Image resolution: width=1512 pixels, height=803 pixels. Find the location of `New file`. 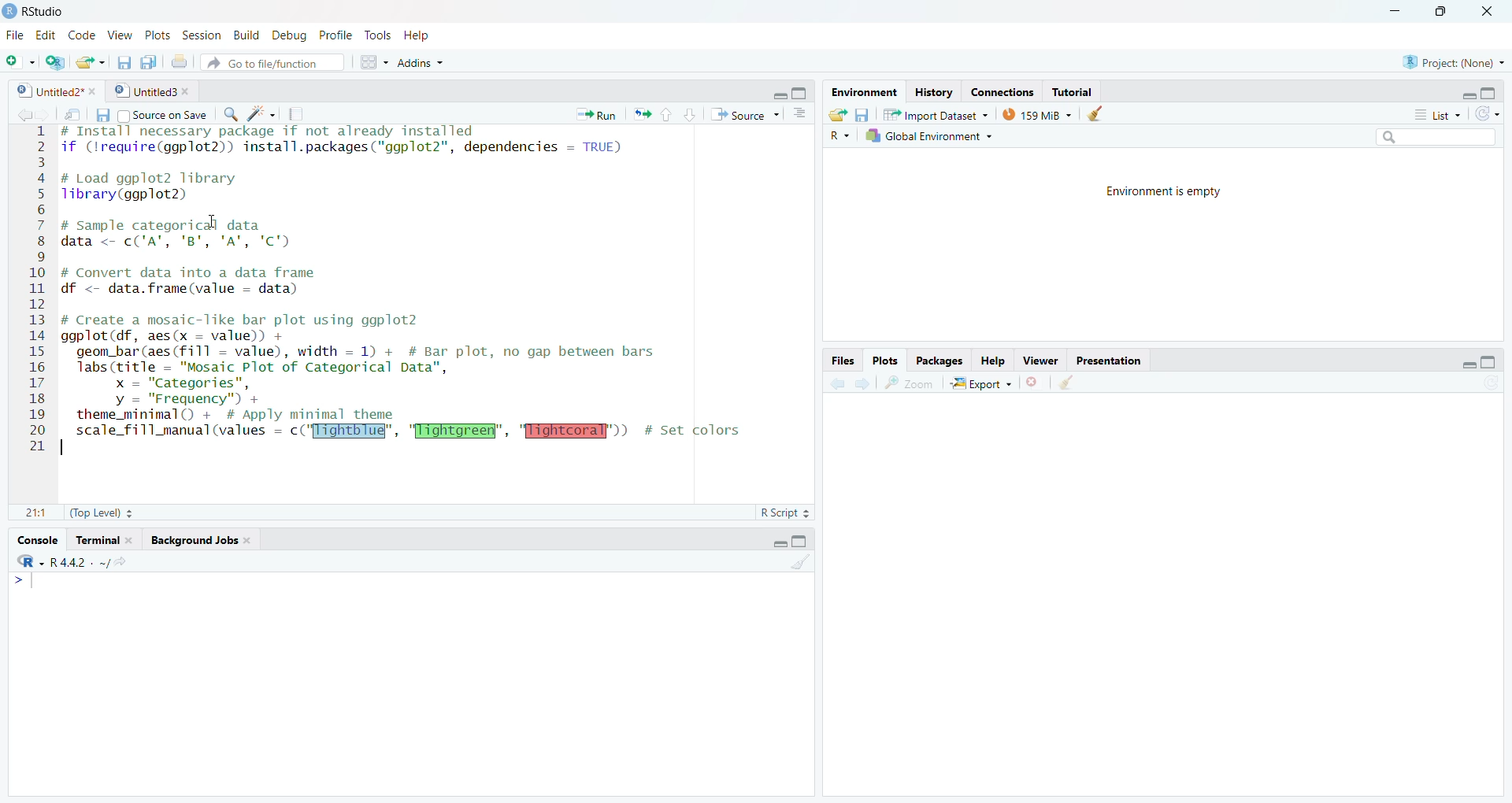

New file is located at coordinates (19, 62).